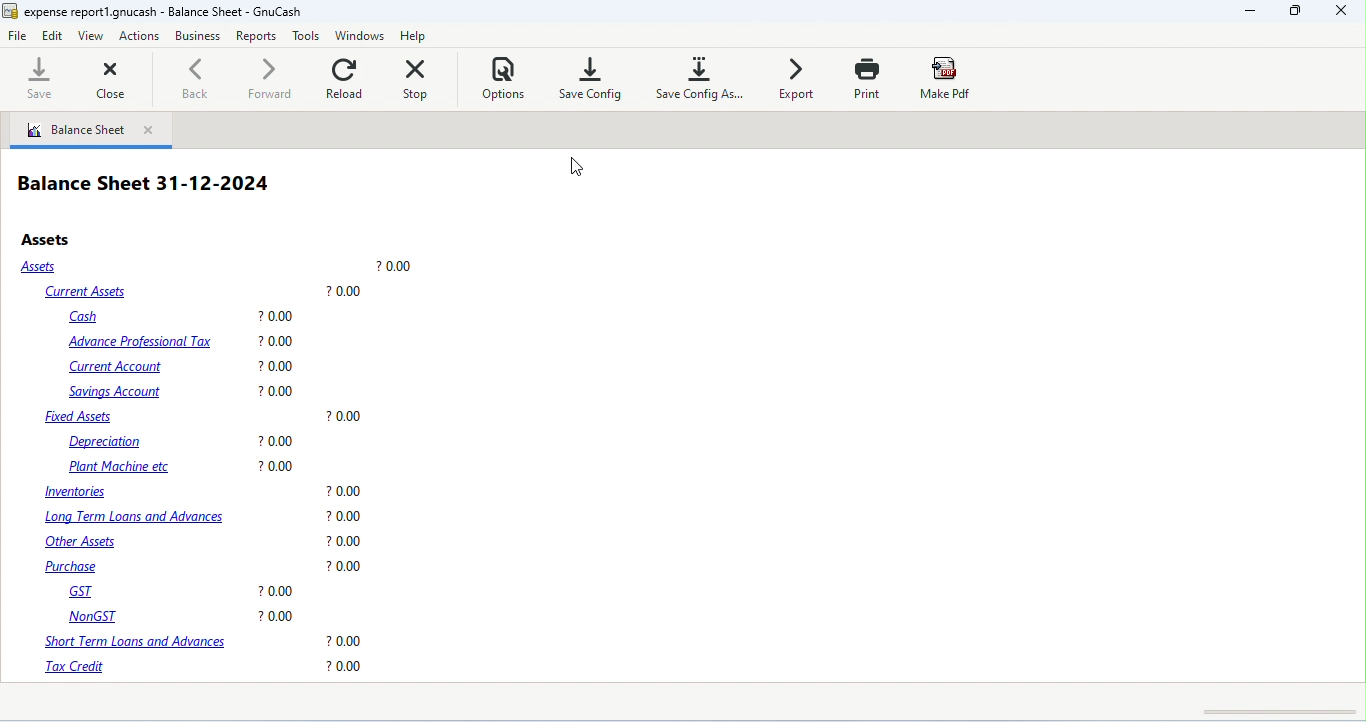 This screenshot has width=1366, height=722. Describe the element at coordinates (205, 568) in the screenshot. I see `purchase` at that location.